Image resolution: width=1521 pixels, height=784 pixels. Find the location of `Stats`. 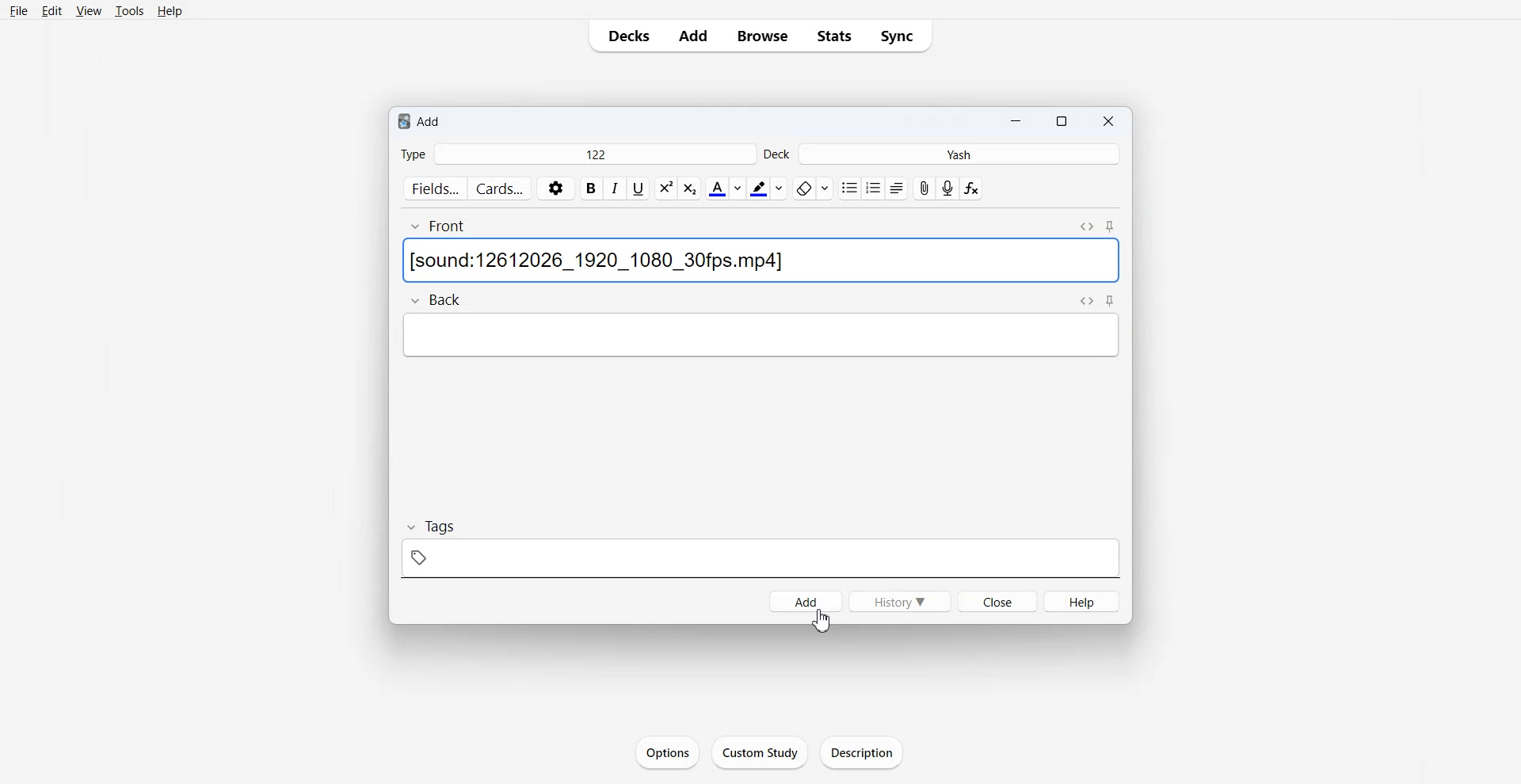

Stats is located at coordinates (834, 36).